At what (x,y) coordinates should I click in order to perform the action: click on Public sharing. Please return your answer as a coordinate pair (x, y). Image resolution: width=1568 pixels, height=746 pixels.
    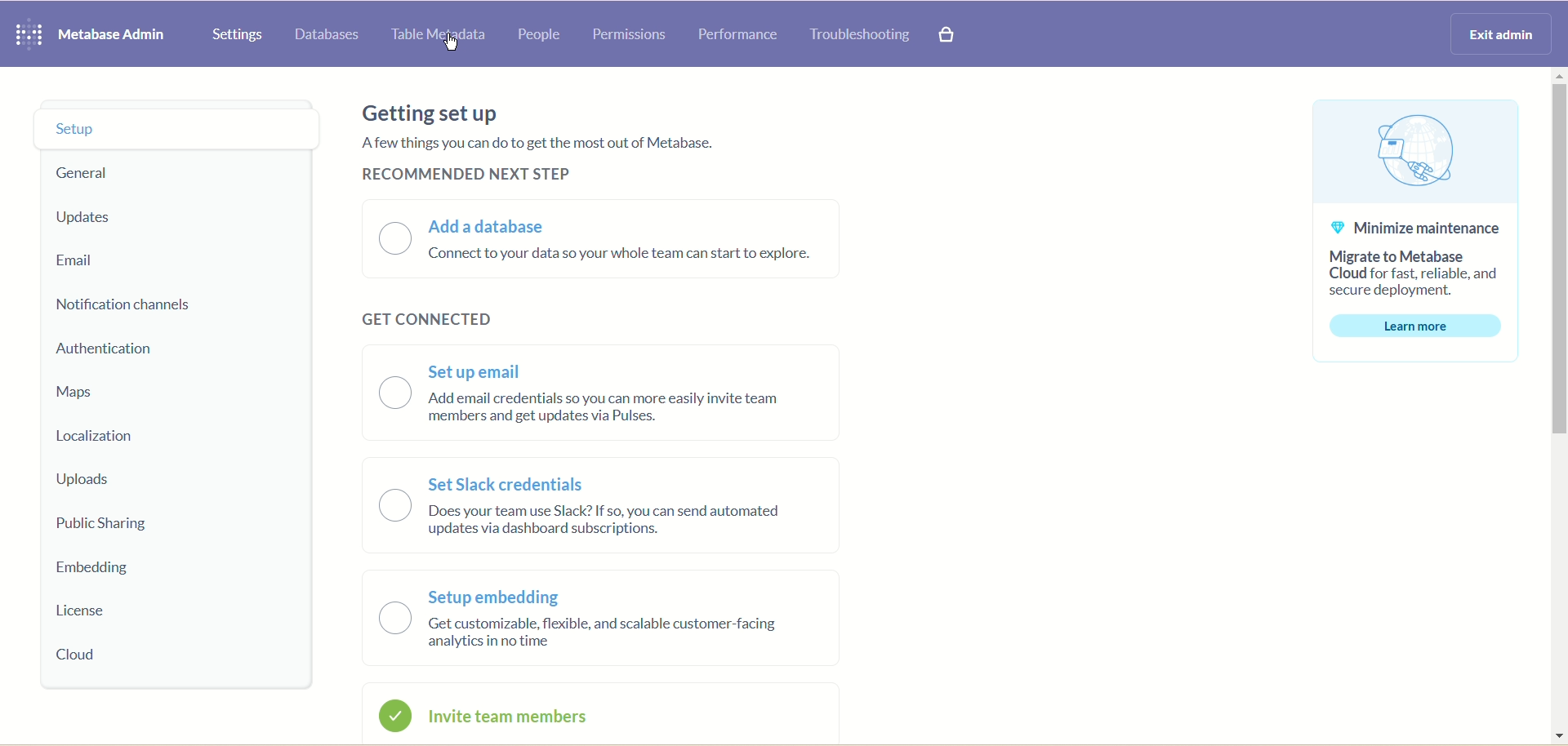
    Looking at the image, I should click on (136, 521).